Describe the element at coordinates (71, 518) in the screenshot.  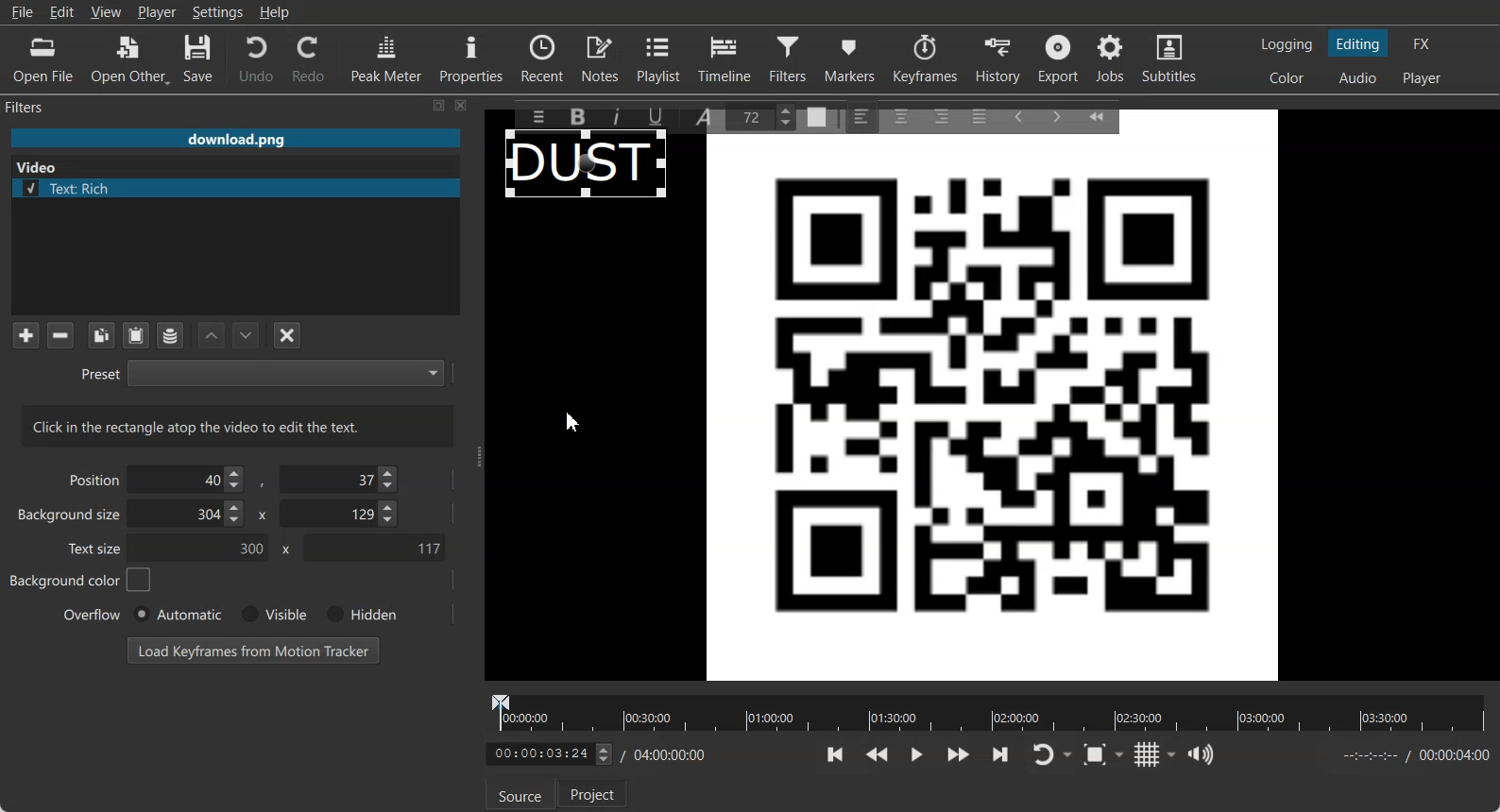
I see `Background size` at that location.